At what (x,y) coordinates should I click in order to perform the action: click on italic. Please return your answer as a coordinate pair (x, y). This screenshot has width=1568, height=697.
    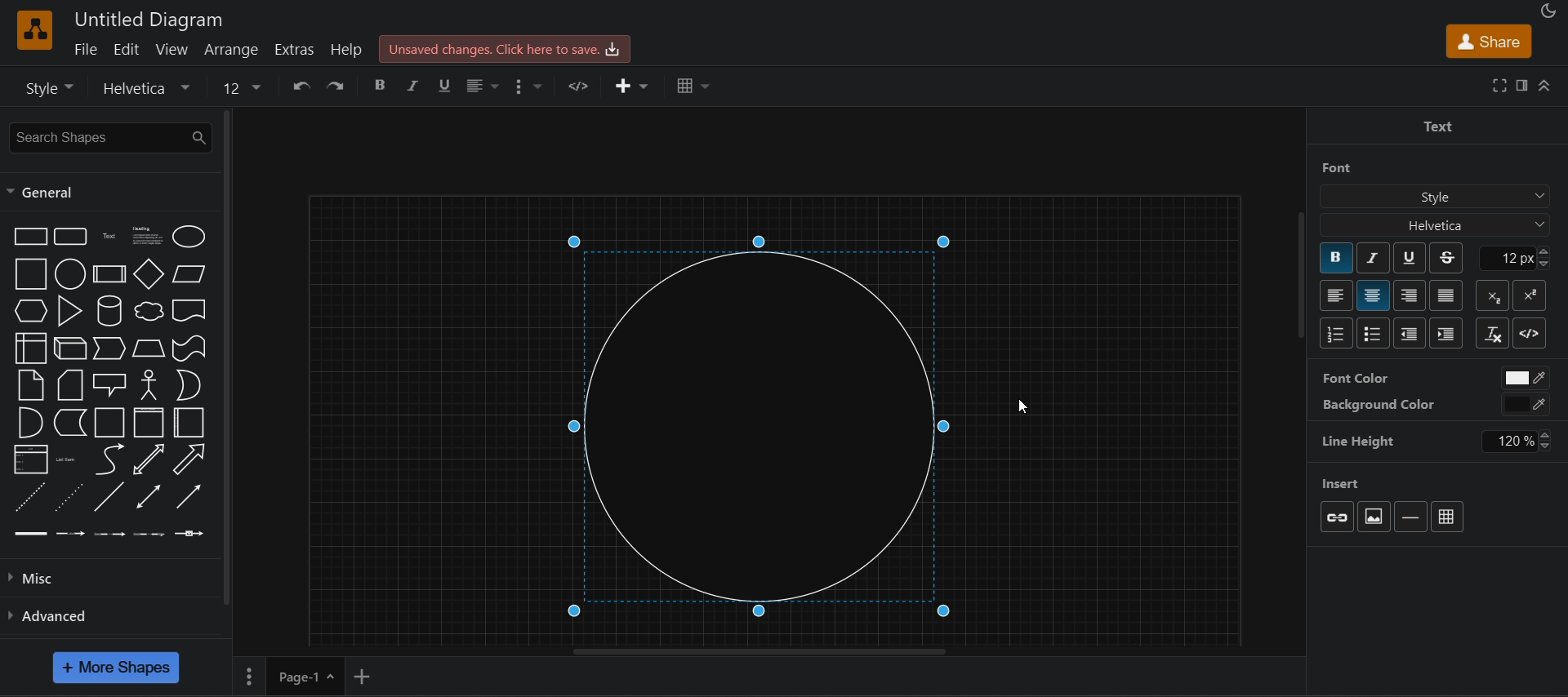
    Looking at the image, I should click on (414, 85).